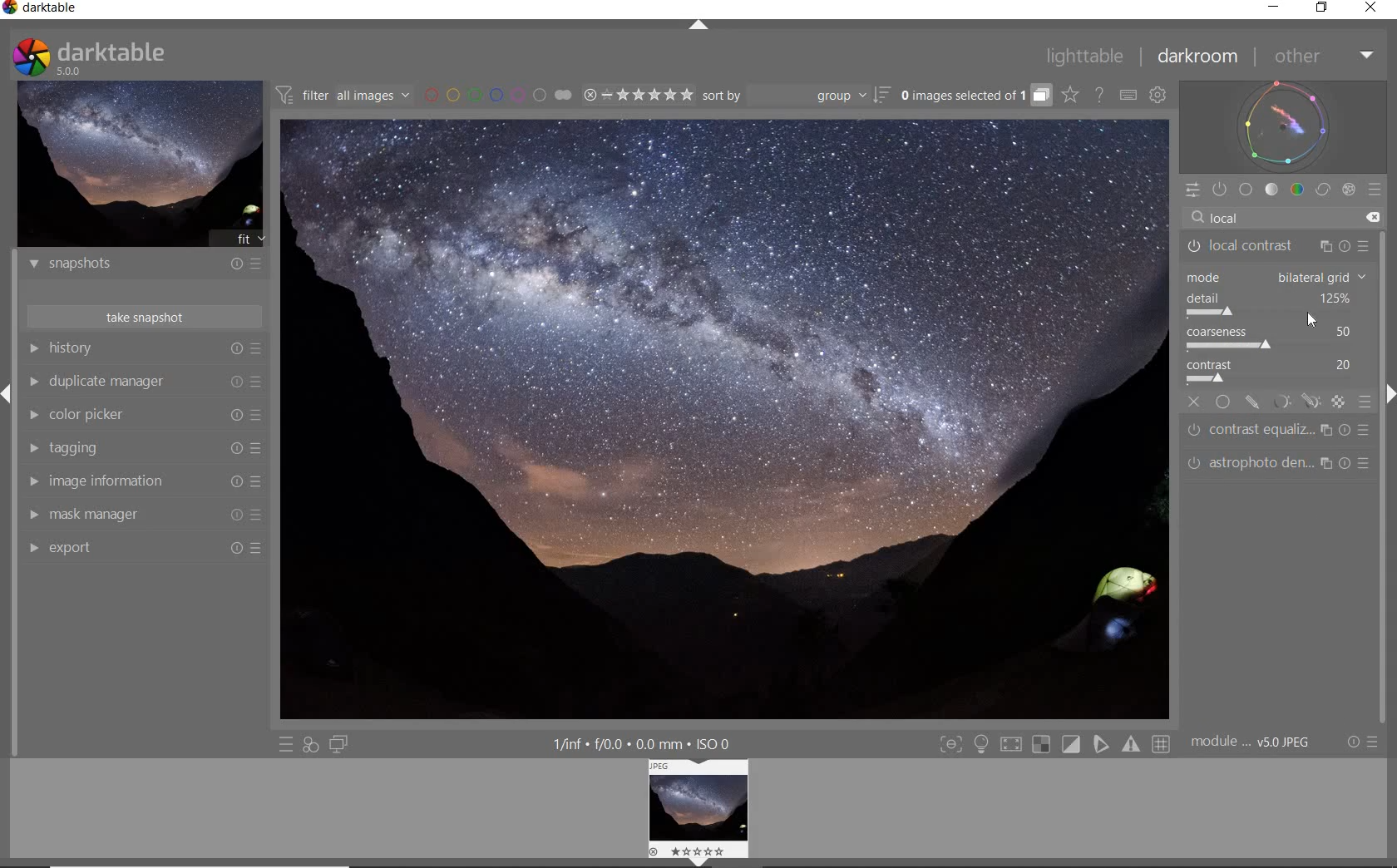  I want to click on COLOR PICKER, so click(32, 413).